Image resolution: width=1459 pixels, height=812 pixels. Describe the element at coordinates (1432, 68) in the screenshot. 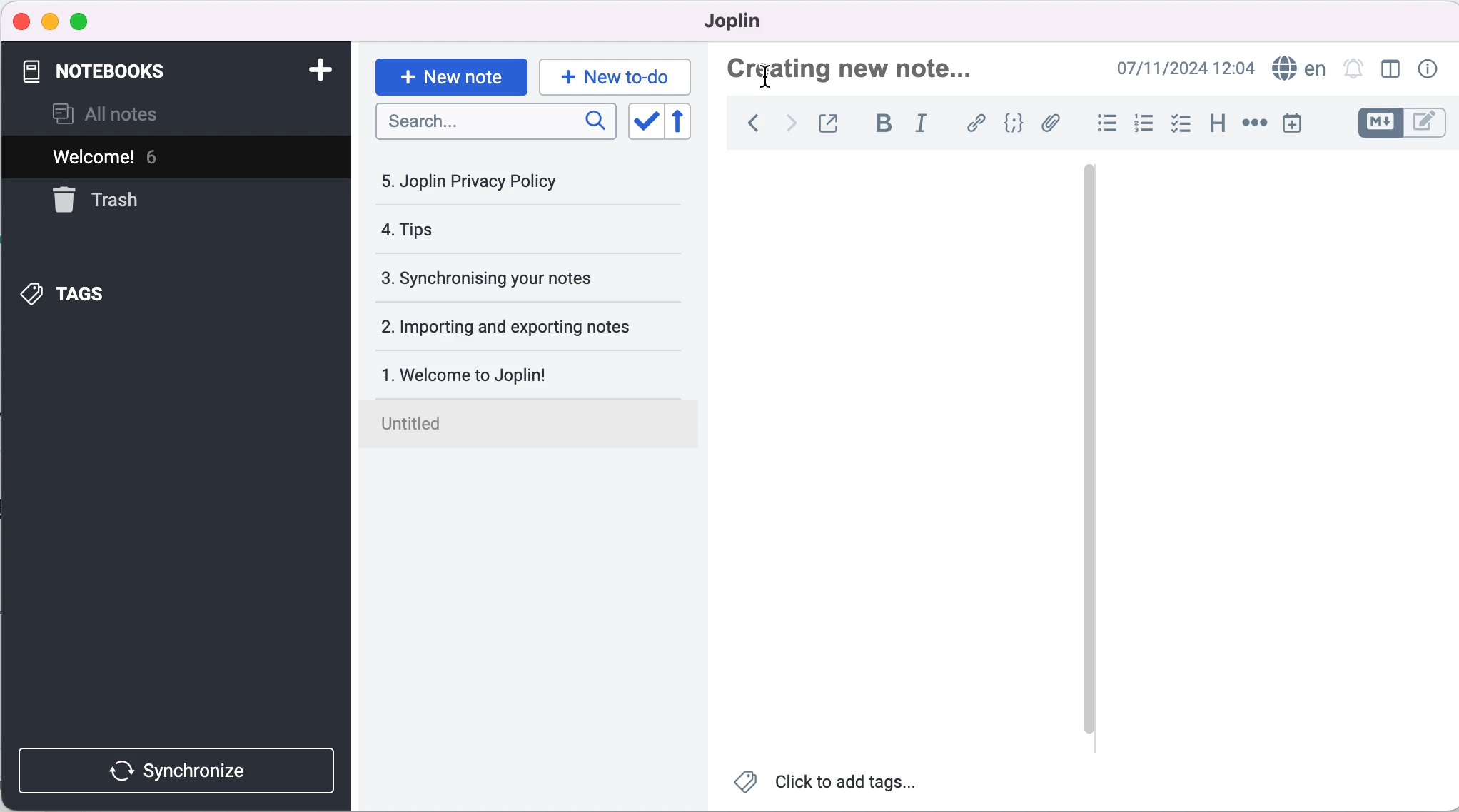

I see `note properties` at that location.